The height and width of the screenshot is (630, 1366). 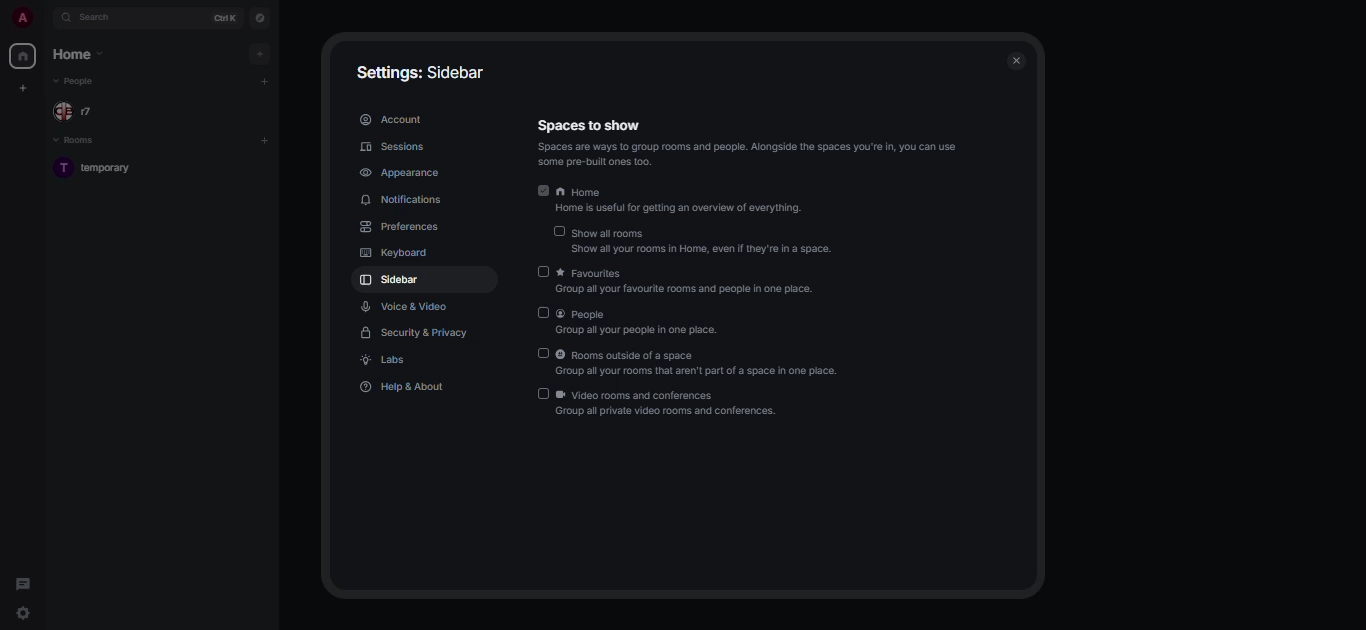 I want to click on people, so click(x=79, y=112).